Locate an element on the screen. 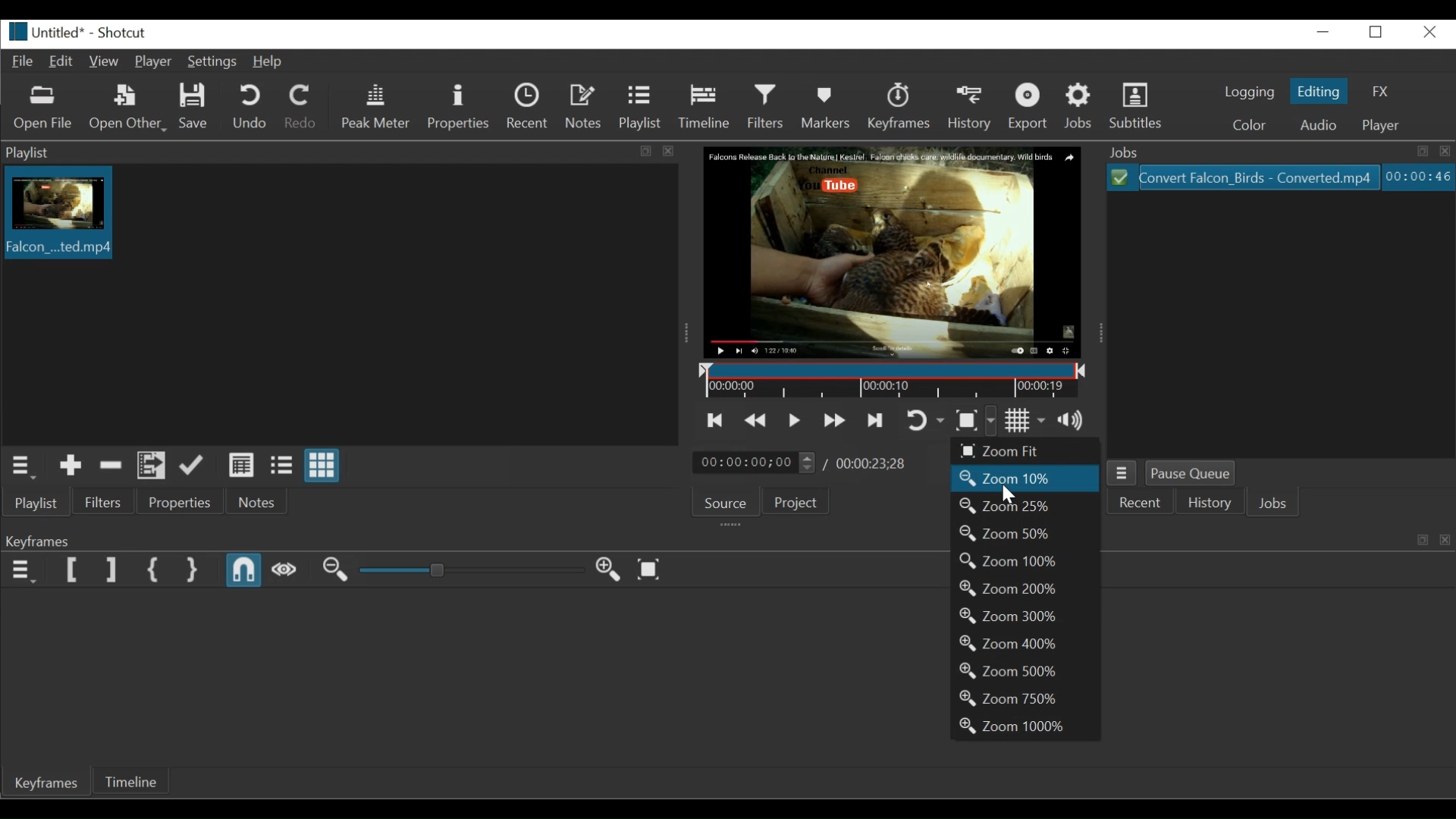 Image resolution: width=1456 pixels, height=819 pixels. Timeline is located at coordinates (893, 380).